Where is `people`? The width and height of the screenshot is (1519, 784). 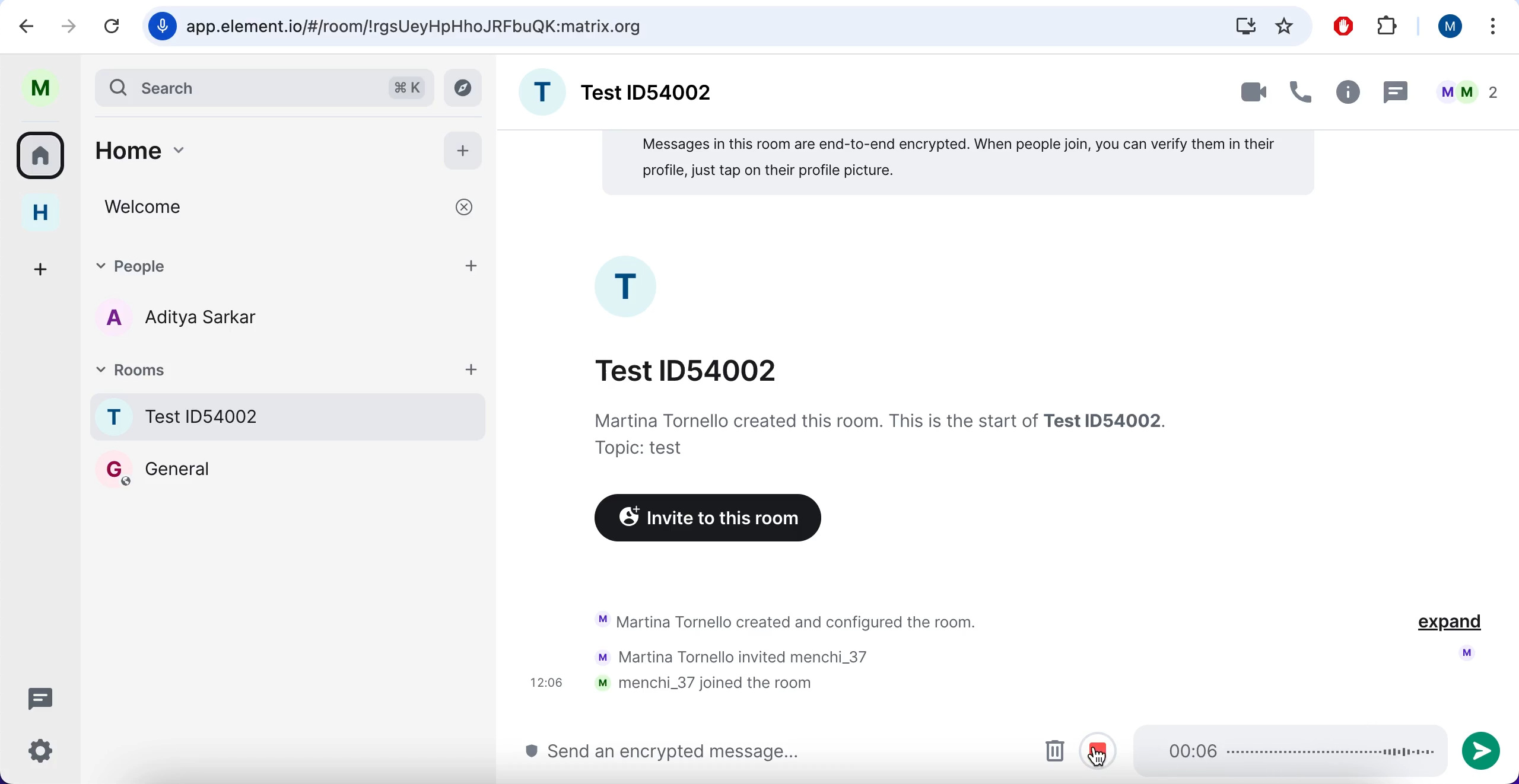 people is located at coordinates (1464, 88).